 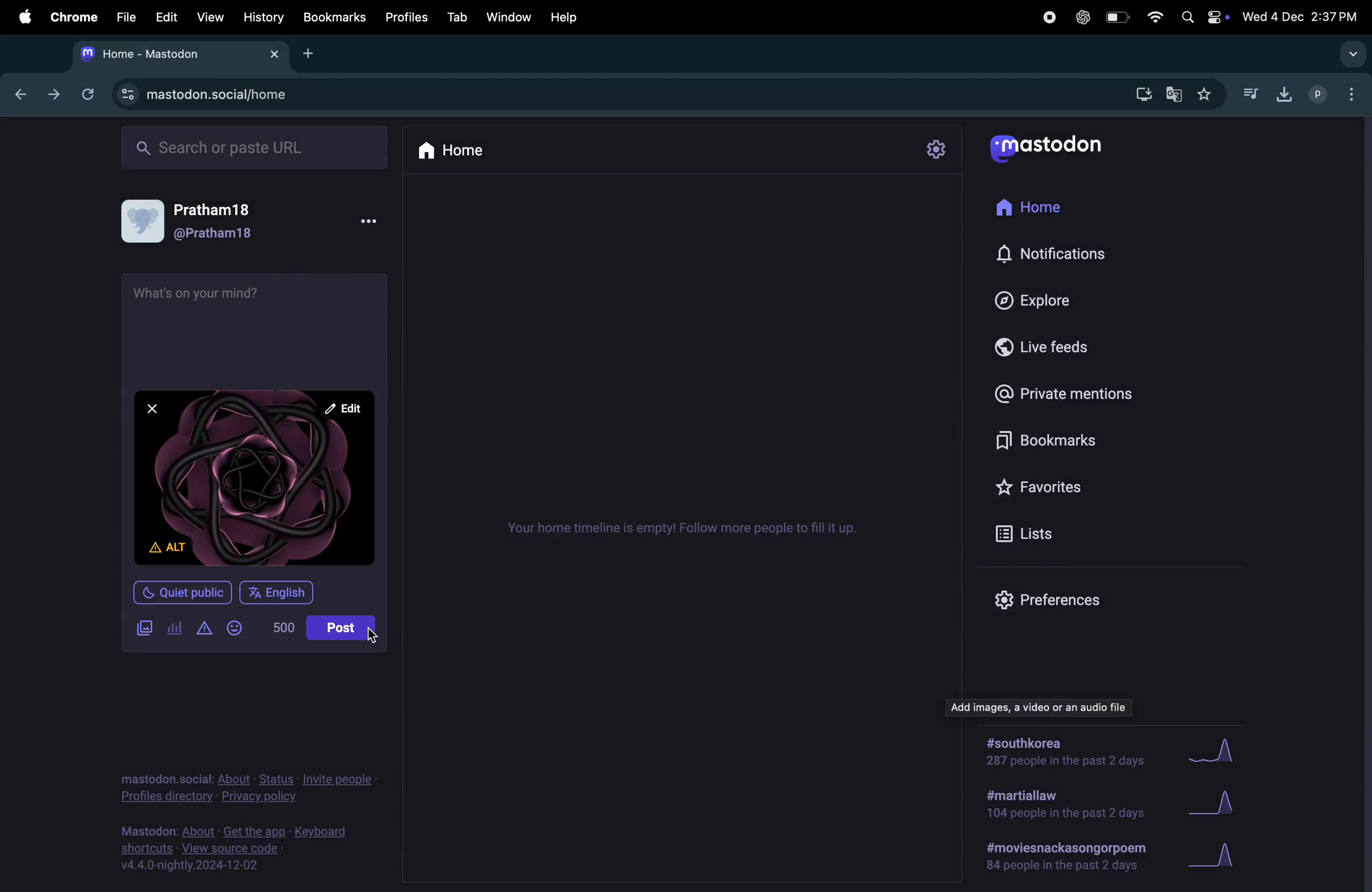 What do you see at coordinates (175, 54) in the screenshot?
I see `mastodon tab` at bounding box center [175, 54].